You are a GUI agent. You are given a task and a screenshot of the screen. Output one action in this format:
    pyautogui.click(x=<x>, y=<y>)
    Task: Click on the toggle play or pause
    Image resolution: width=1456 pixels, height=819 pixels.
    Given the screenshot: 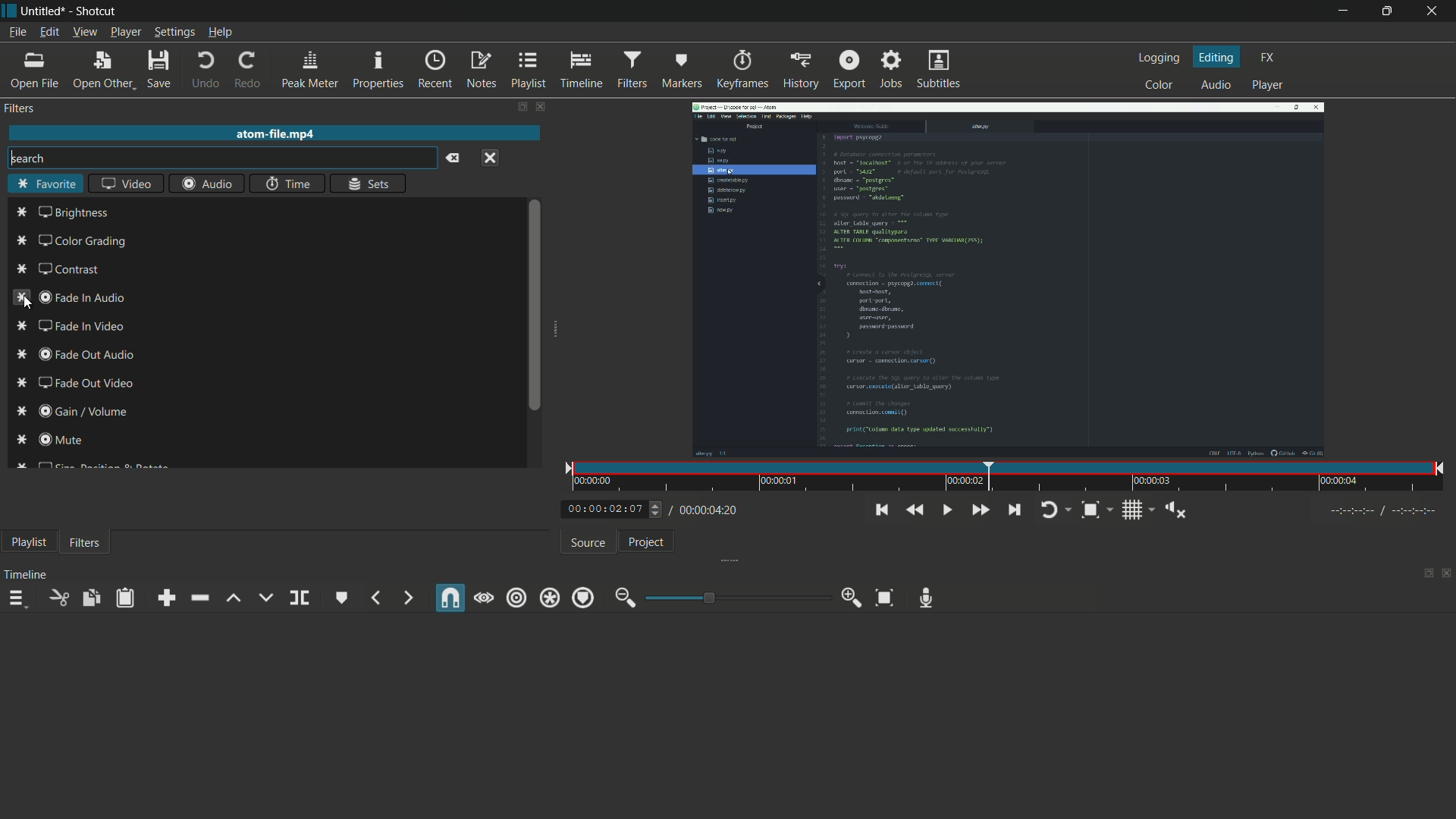 What is the action you would take?
    pyautogui.click(x=946, y=508)
    